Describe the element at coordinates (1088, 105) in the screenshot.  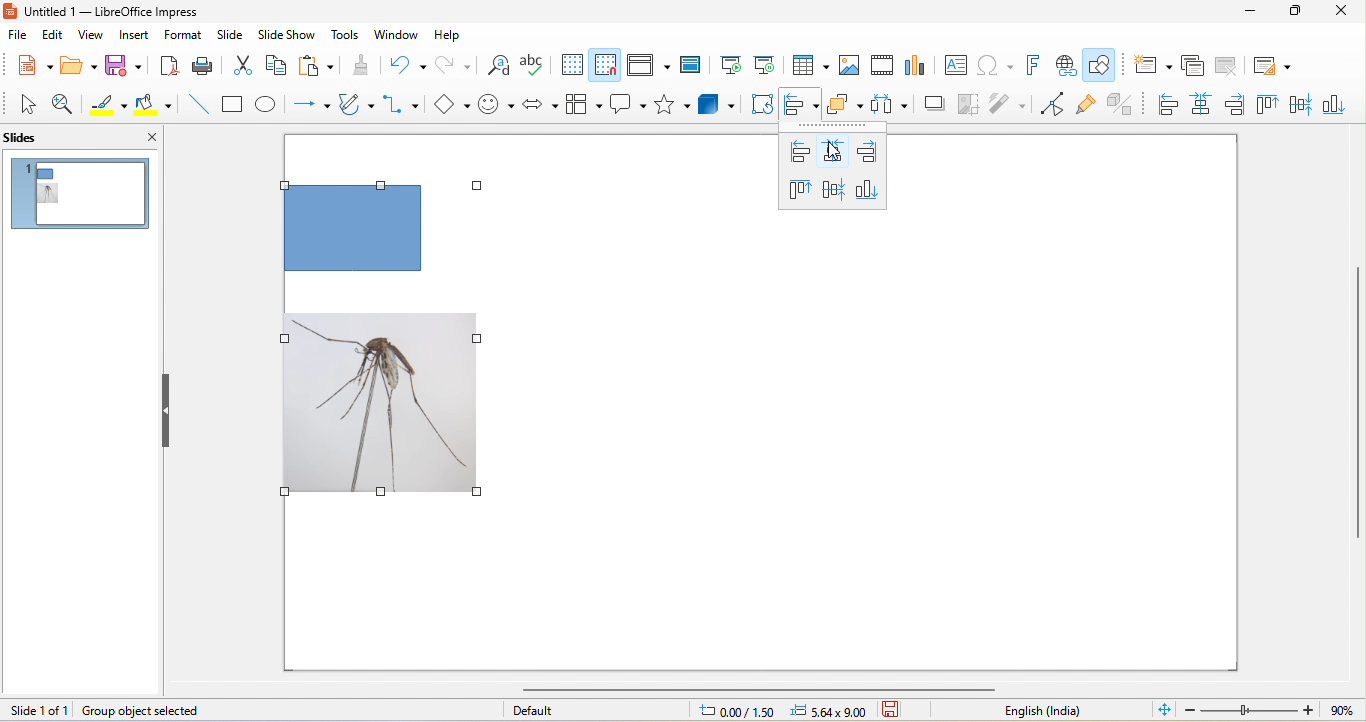
I see `gluepoint function` at that location.